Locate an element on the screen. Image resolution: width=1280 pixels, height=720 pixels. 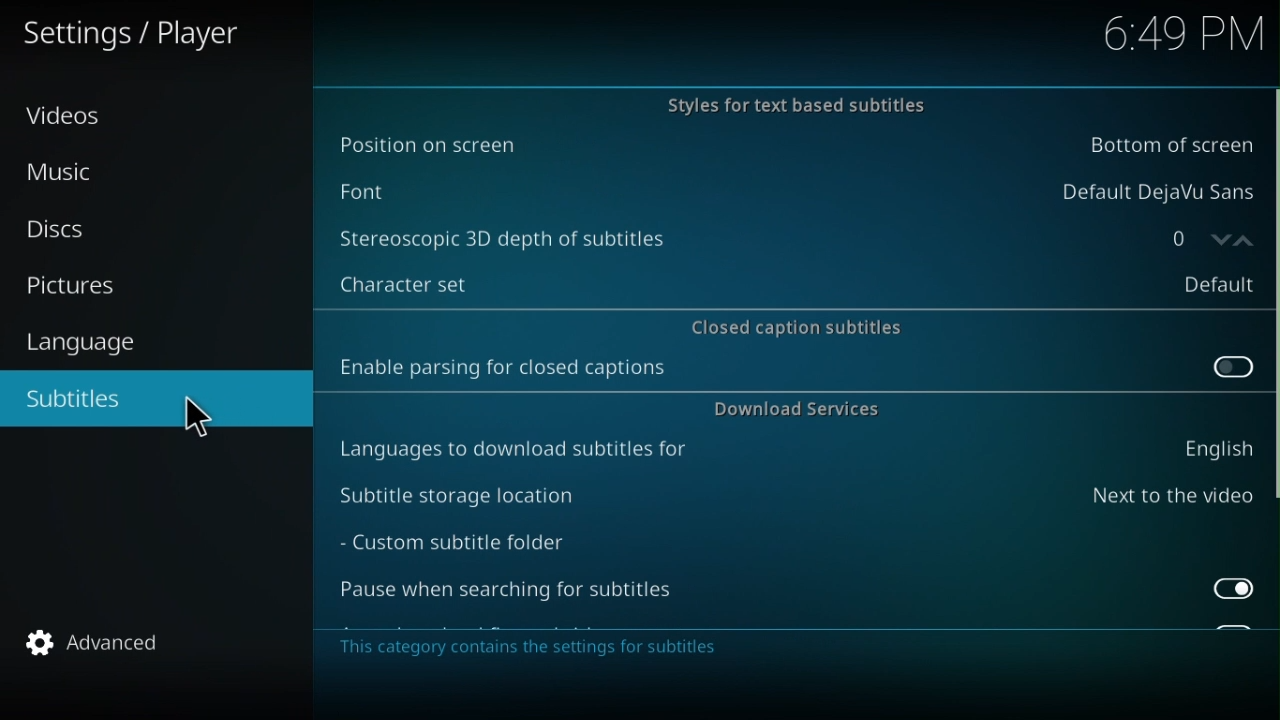
Advanced is located at coordinates (107, 639).